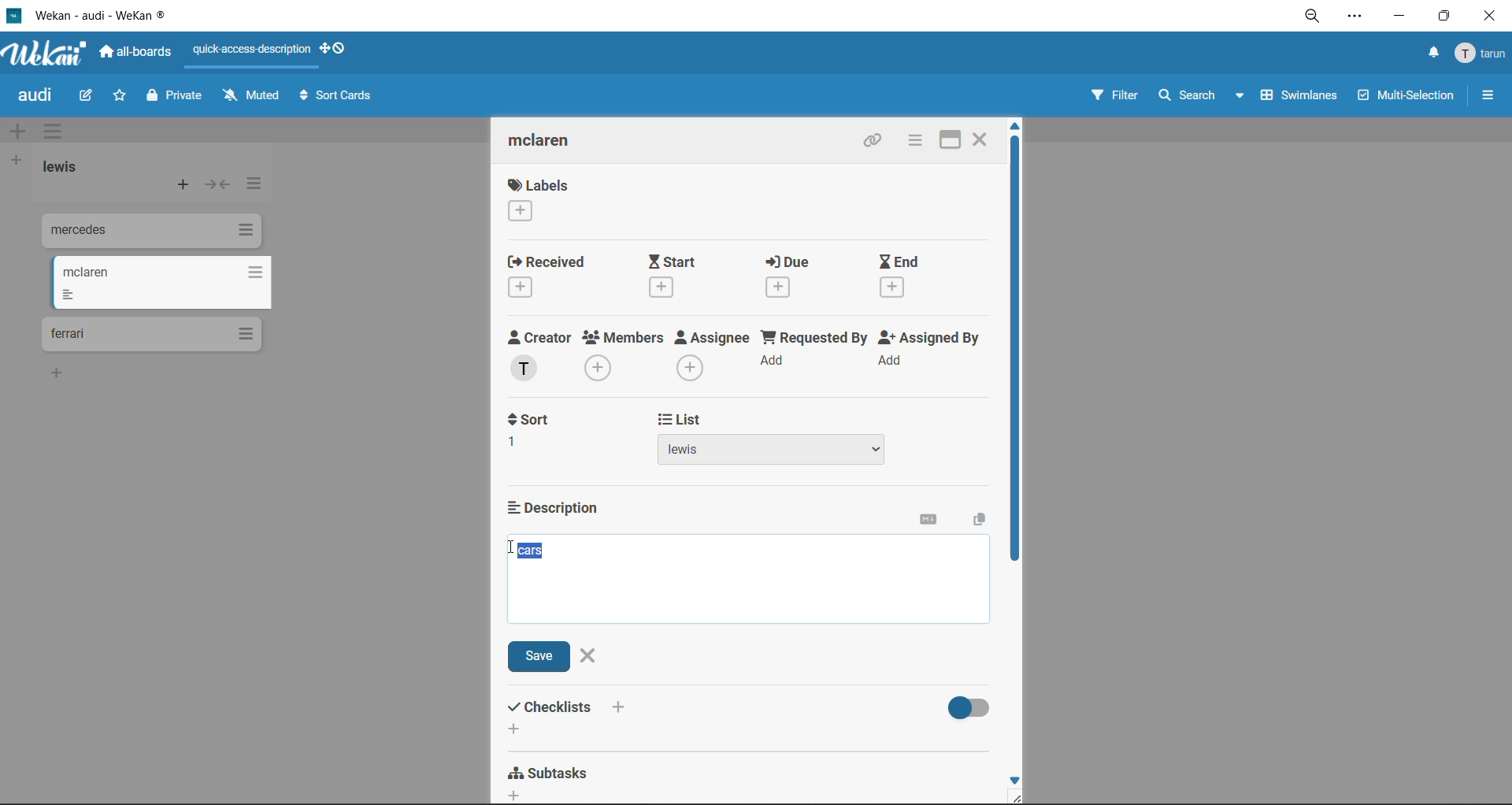  I want to click on checklists, so click(571, 717).